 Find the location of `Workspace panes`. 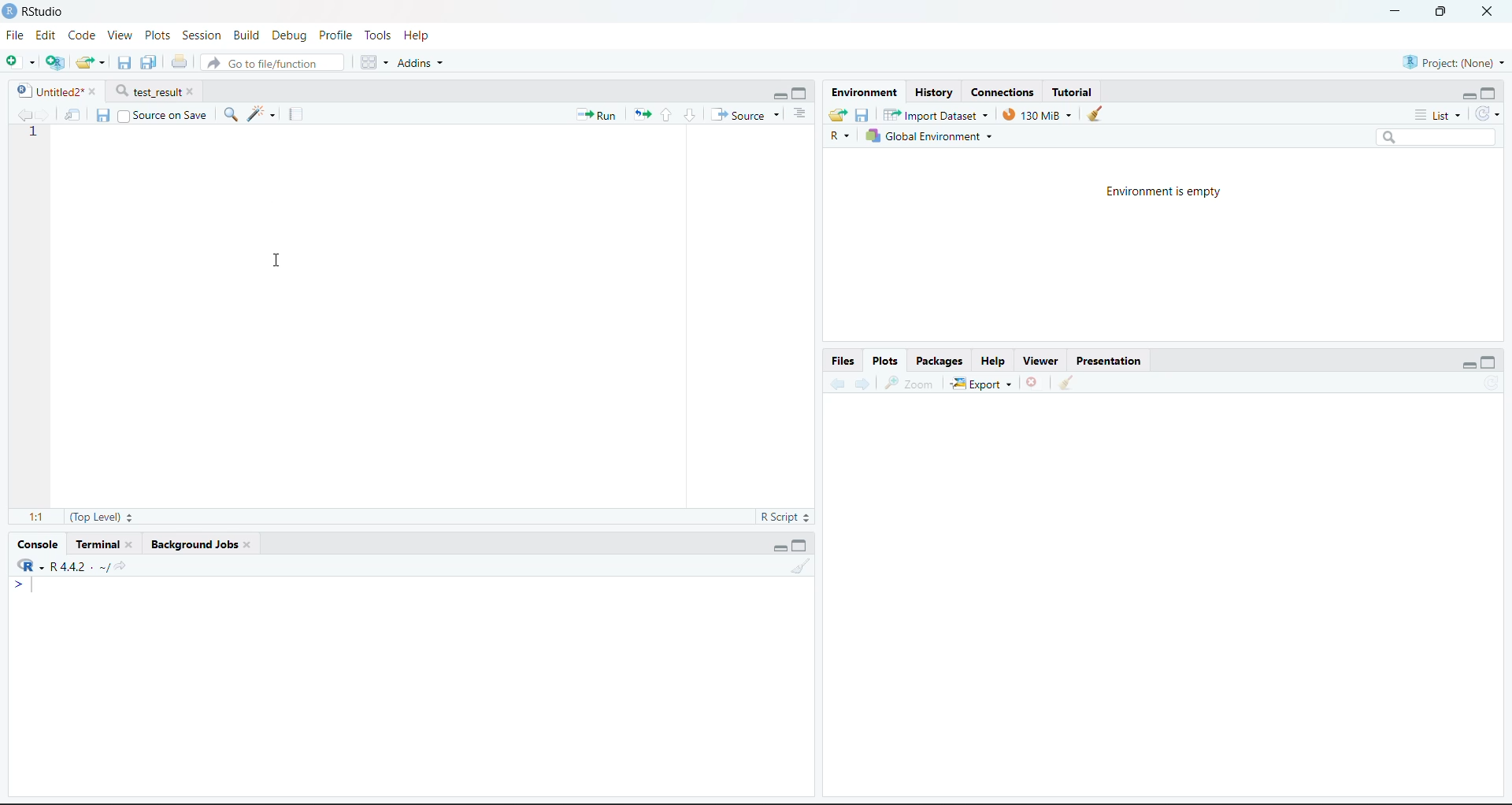

Workspace panes is located at coordinates (372, 61).